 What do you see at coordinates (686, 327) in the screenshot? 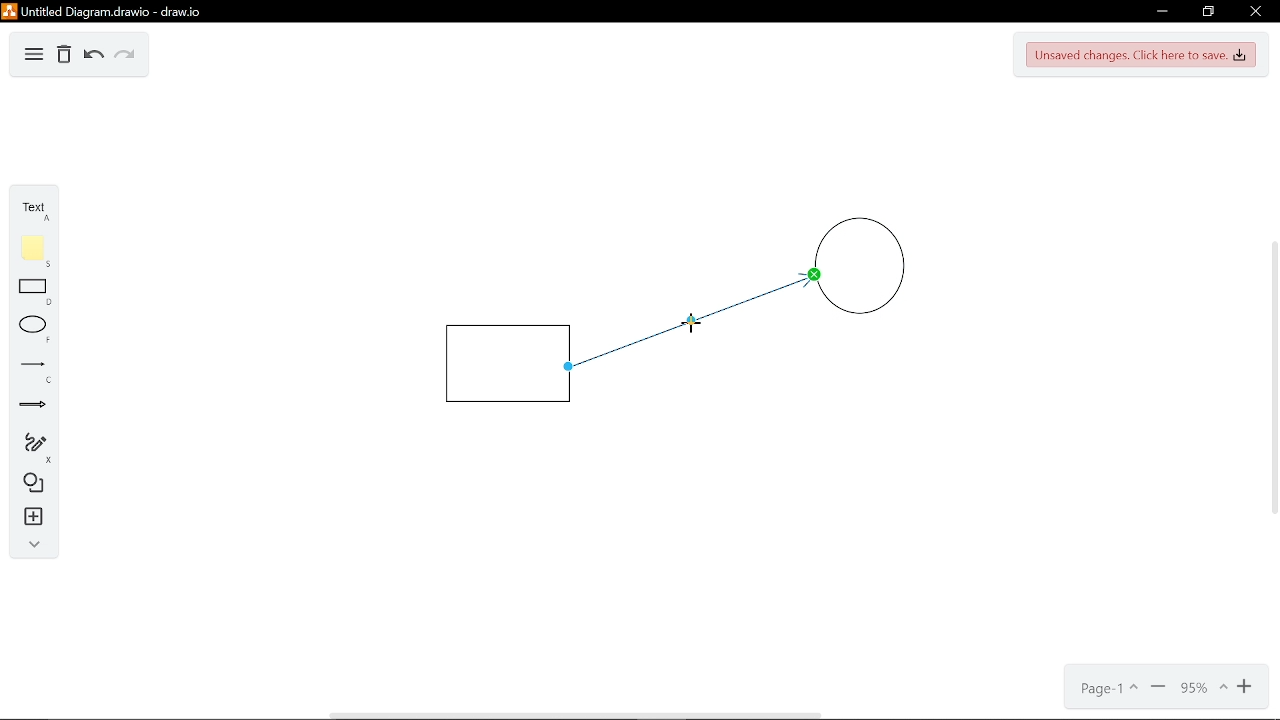
I see `Cursor` at bounding box center [686, 327].